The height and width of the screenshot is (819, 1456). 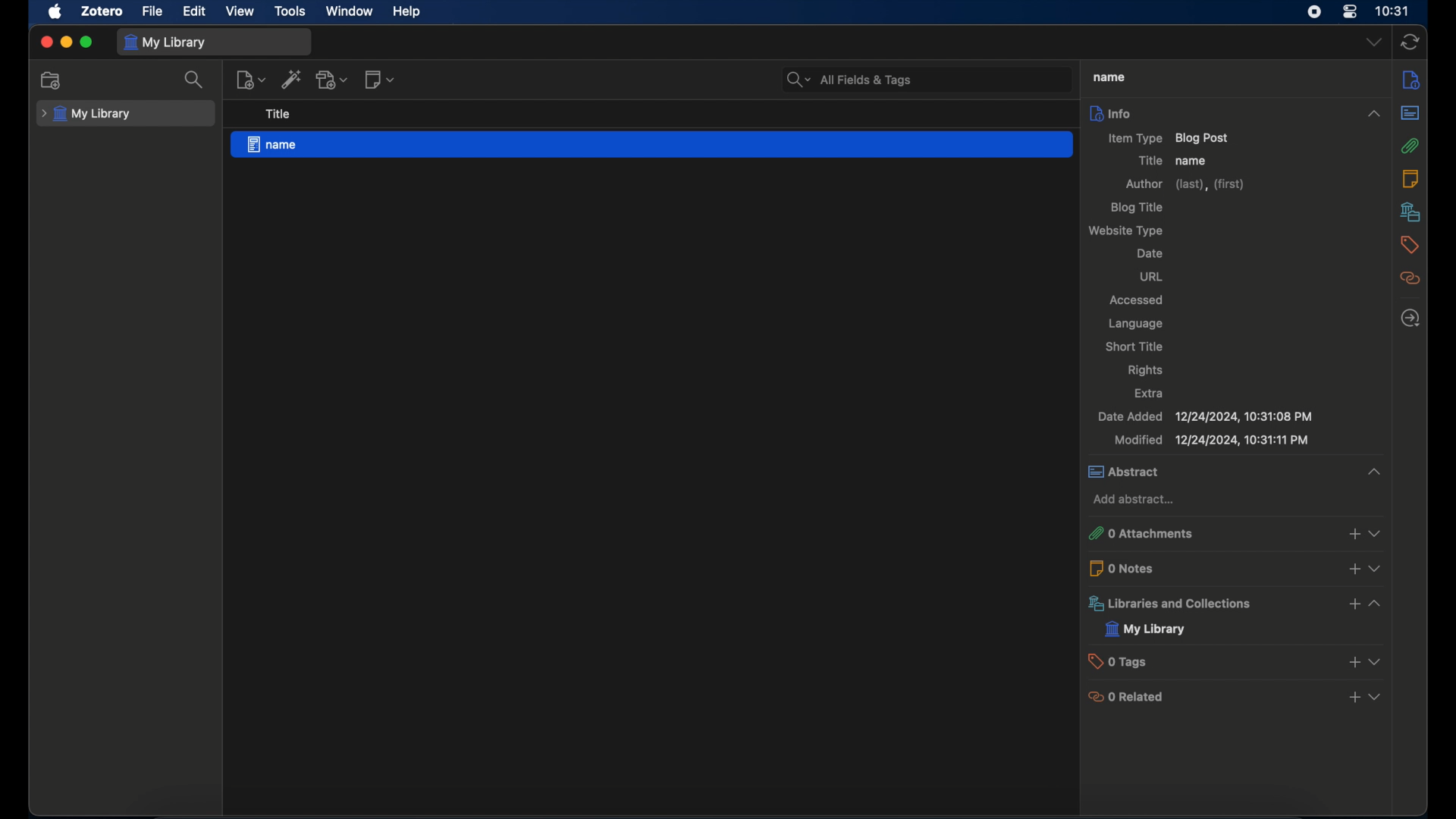 I want to click on close, so click(x=45, y=42).